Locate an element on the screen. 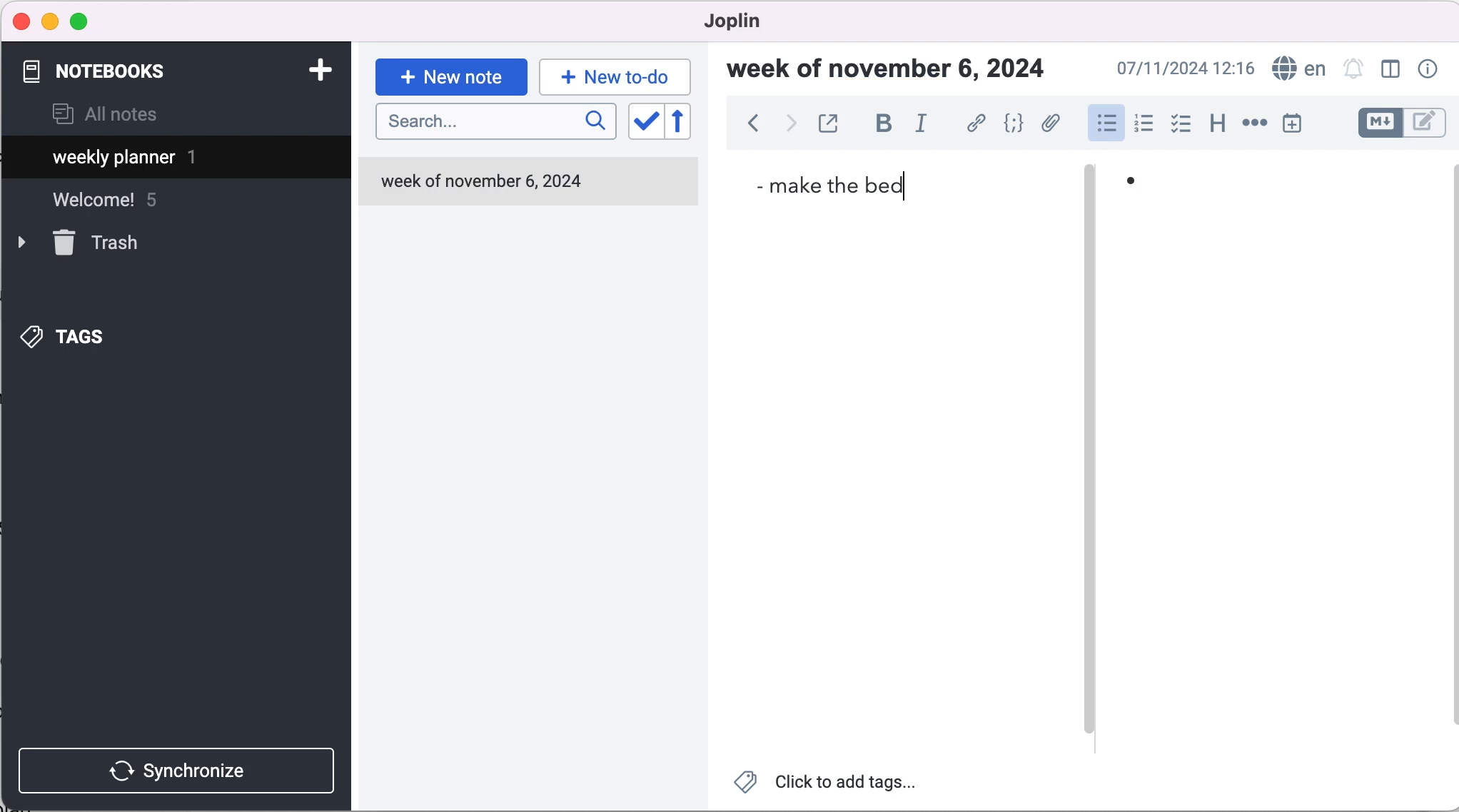 The width and height of the screenshot is (1459, 812). code is located at coordinates (1014, 125).